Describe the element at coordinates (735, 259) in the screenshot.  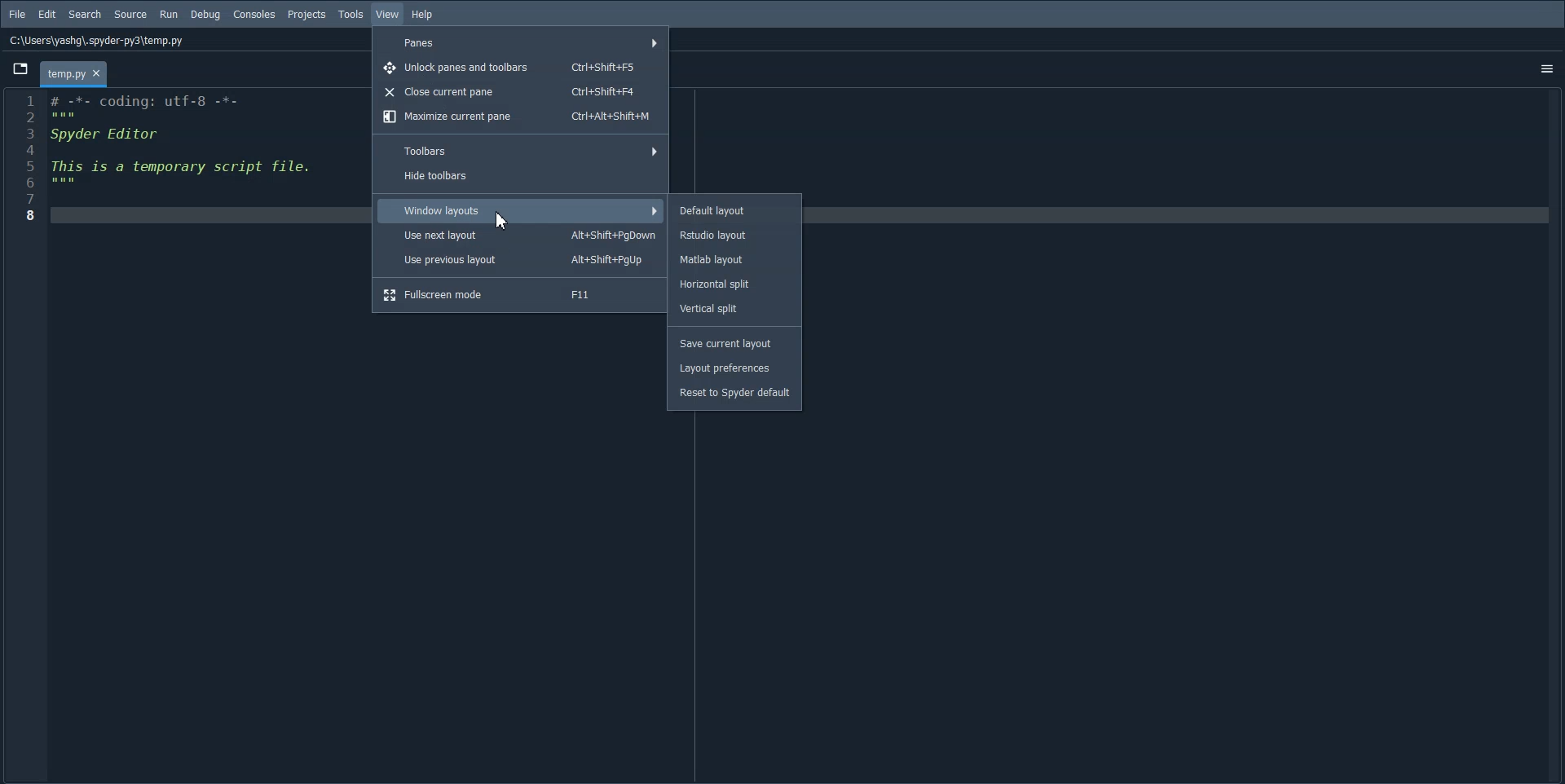
I see `Matlab layout` at that location.